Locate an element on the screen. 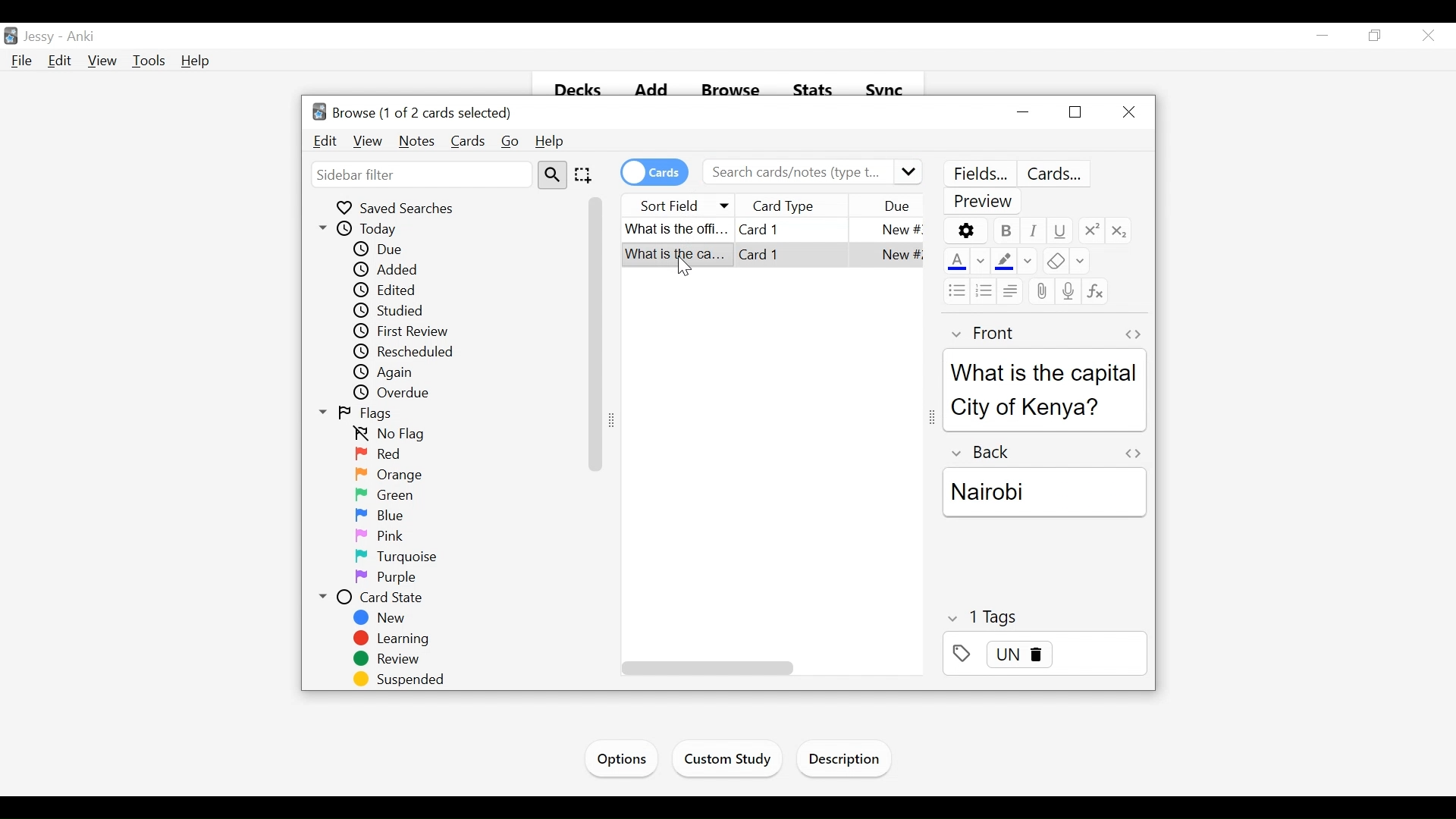  minimize is located at coordinates (1325, 36).